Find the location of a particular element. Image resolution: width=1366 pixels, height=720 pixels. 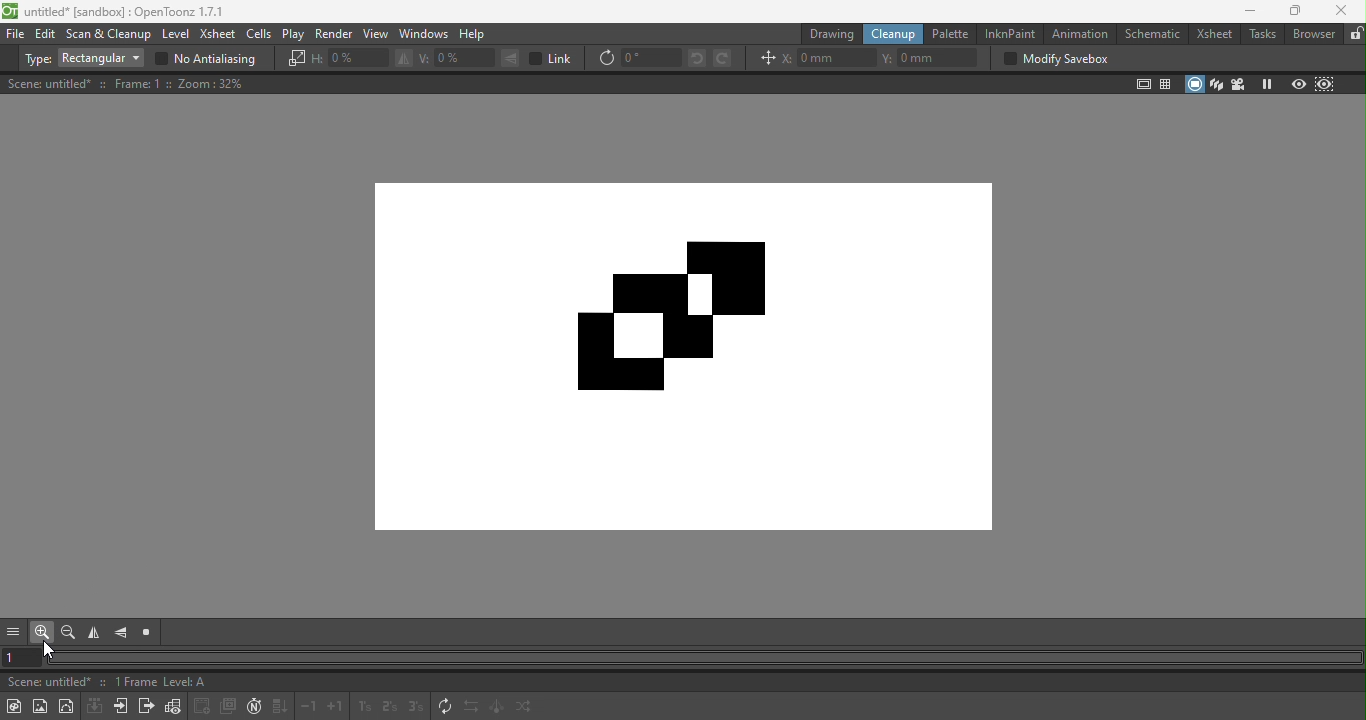

Position is located at coordinates (765, 57).